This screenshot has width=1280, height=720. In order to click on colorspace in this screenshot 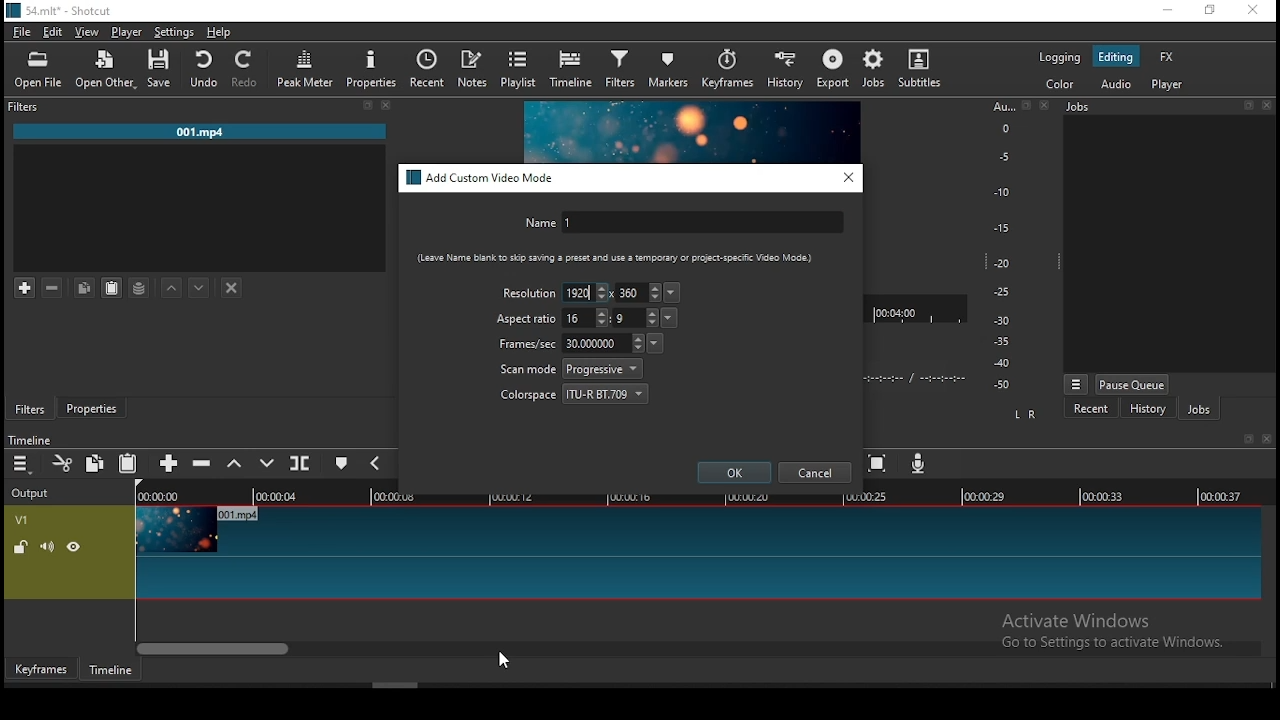, I will do `click(575, 392)`.